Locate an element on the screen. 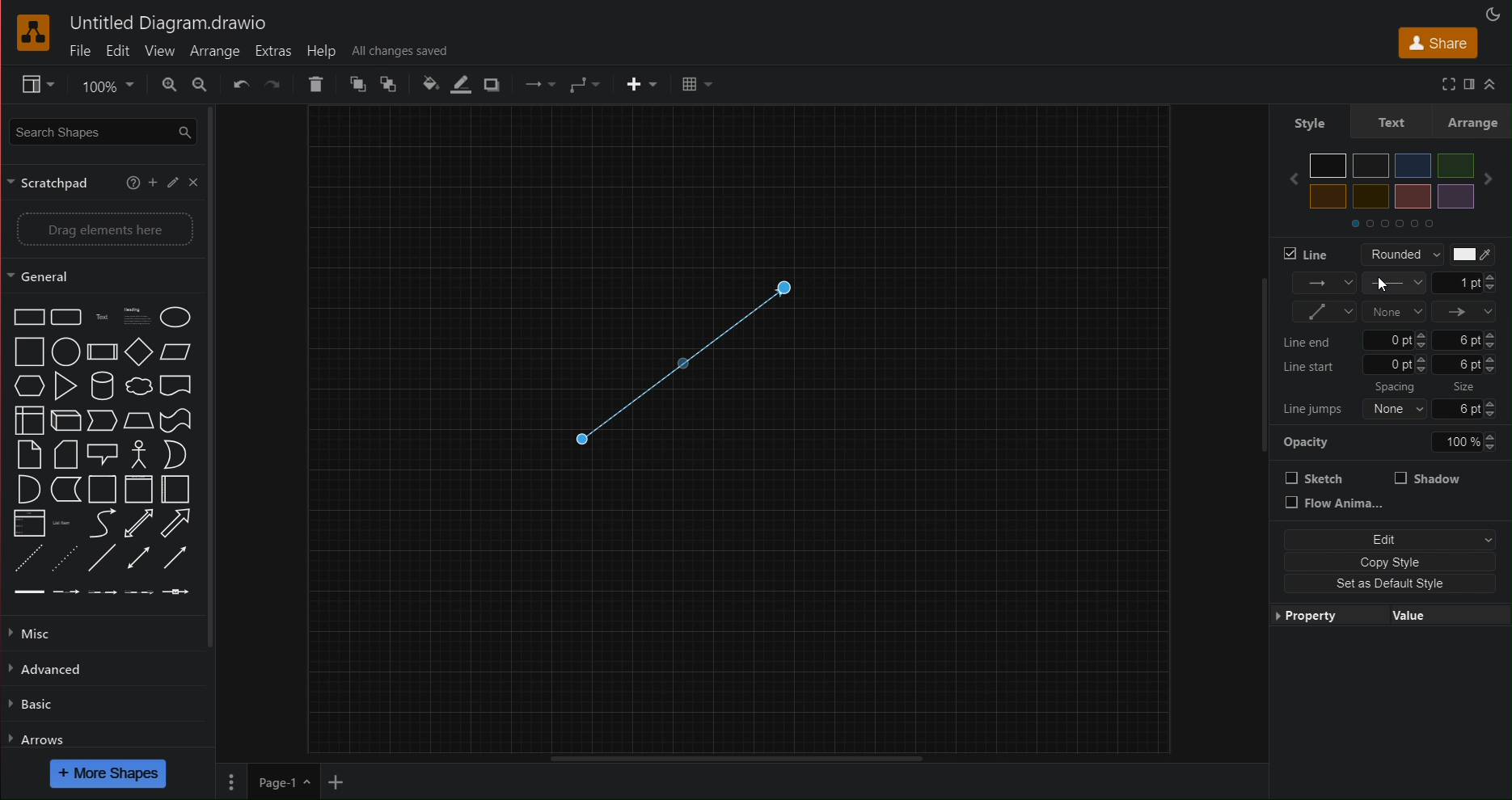  Redo is located at coordinates (273, 86).